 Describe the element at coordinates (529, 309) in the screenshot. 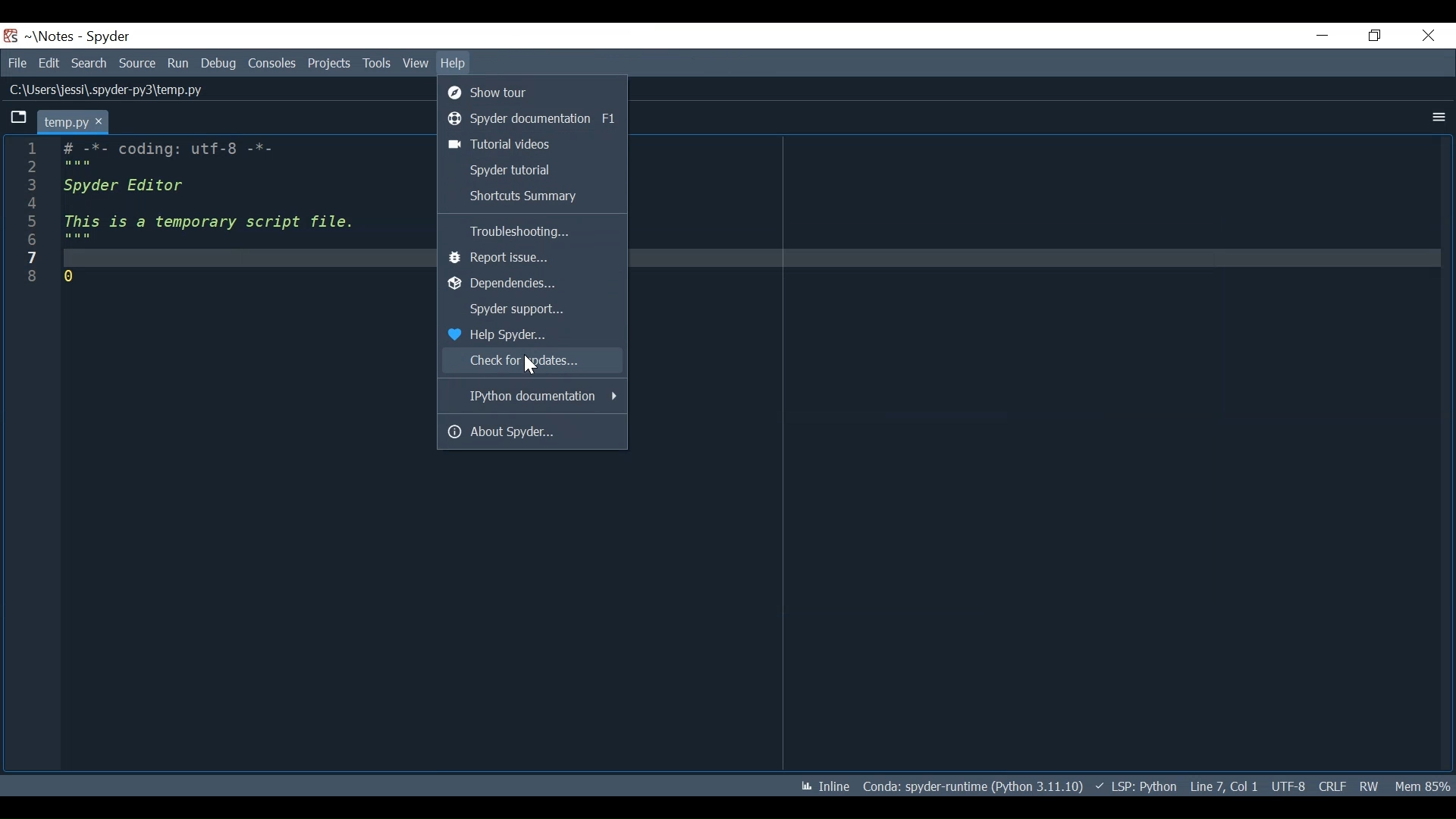

I see `Spyder Support` at that location.